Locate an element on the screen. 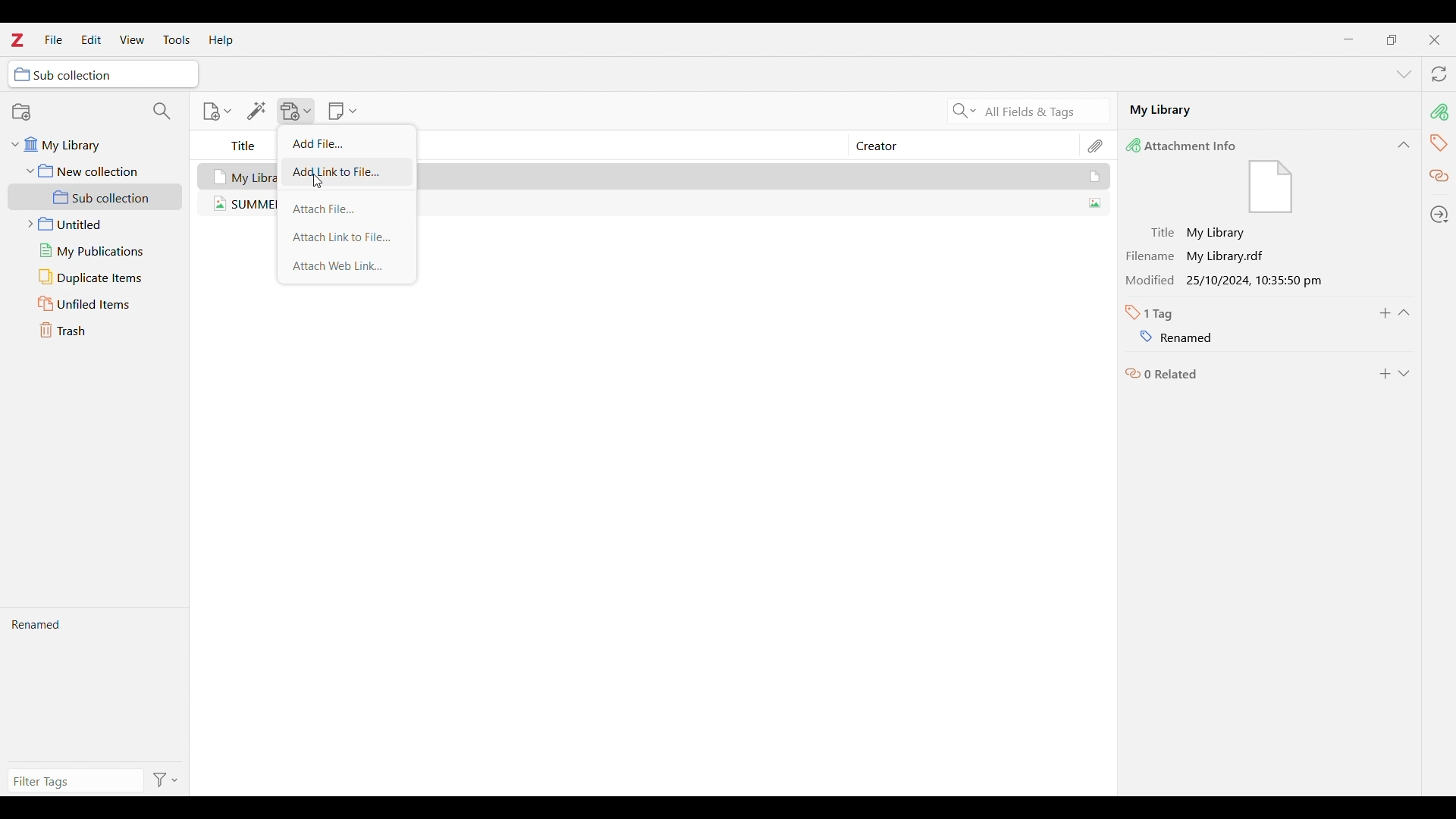 Image resolution: width=1456 pixels, height=819 pixels. Number of tabs in selected file is located at coordinates (1154, 313).